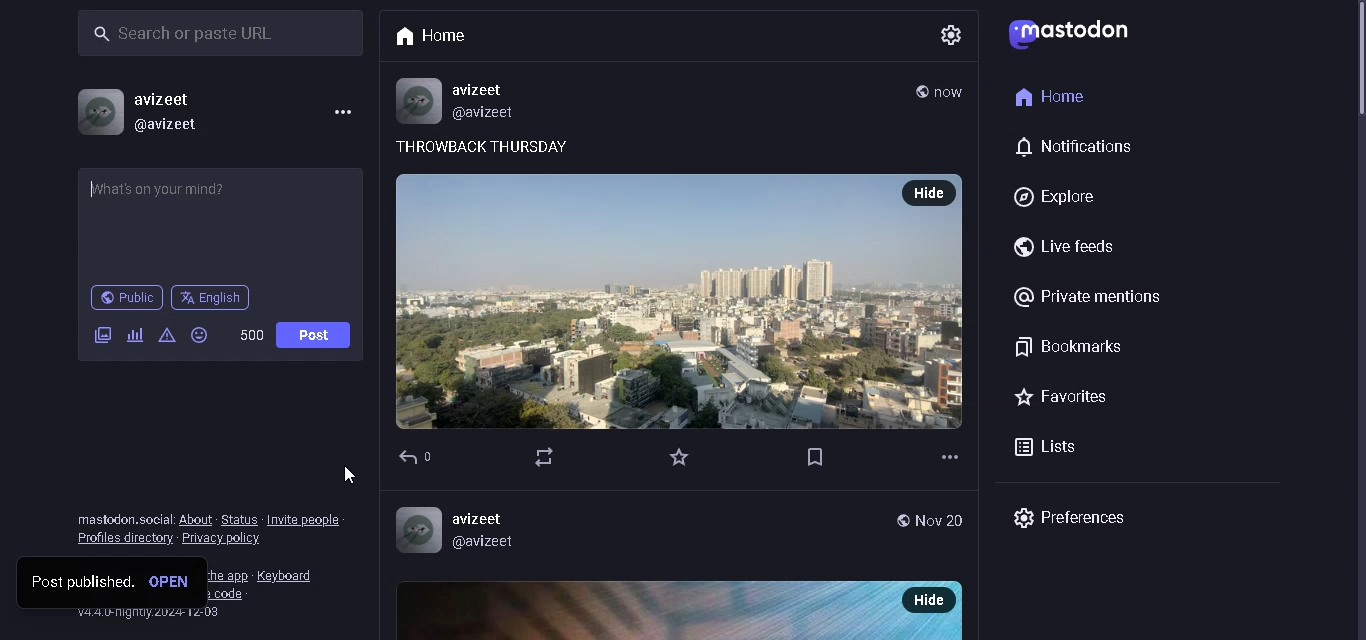 Image resolution: width=1366 pixels, height=640 pixels. Describe the element at coordinates (168, 337) in the screenshot. I see `content warning` at that location.